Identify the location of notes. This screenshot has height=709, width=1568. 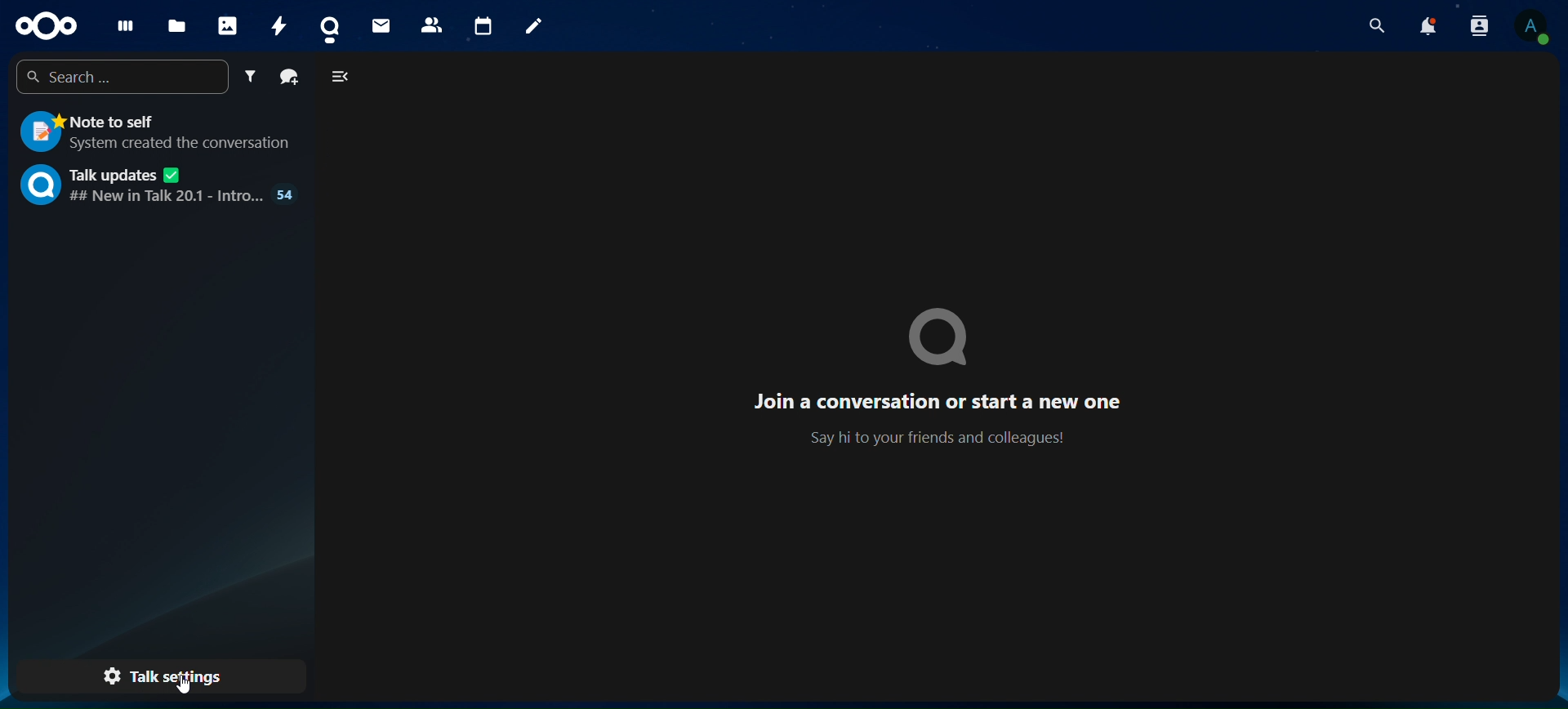
(534, 24).